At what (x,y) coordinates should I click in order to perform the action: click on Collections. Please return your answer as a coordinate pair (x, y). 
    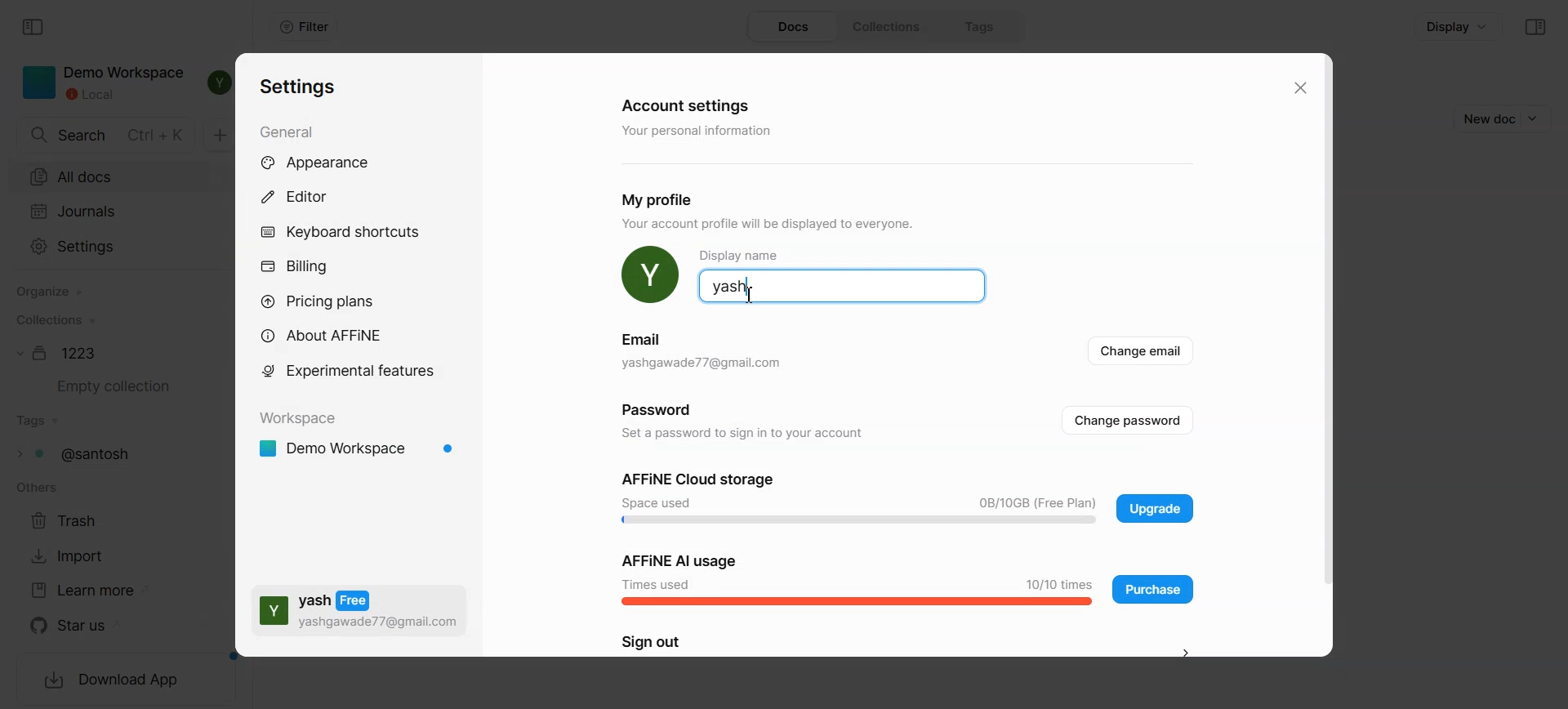
    Looking at the image, I should click on (54, 319).